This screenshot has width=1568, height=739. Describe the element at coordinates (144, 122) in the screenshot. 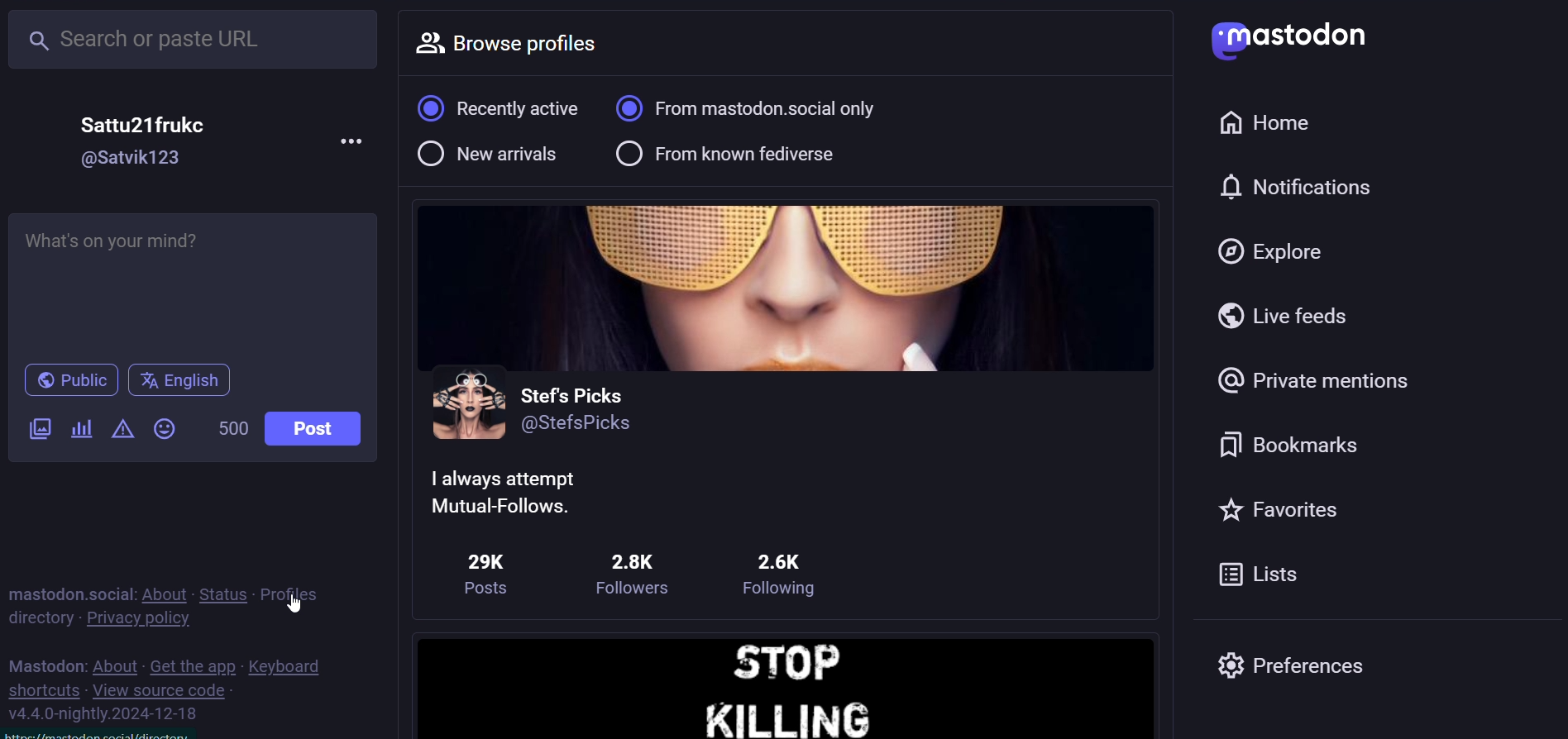

I see `user name` at that location.